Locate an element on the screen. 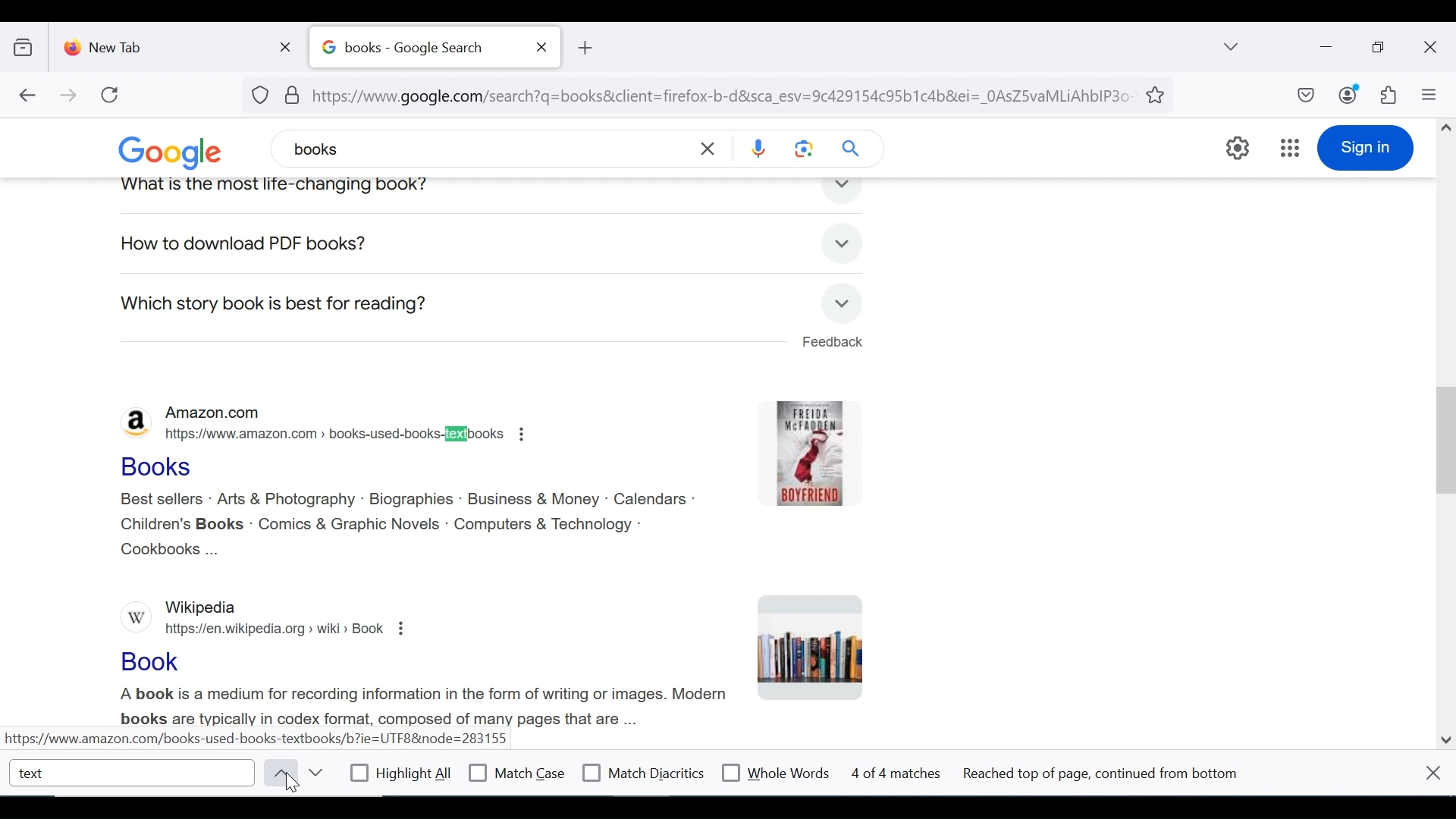 Image resolution: width=1456 pixels, height=819 pixels.  is located at coordinates (417, 704).